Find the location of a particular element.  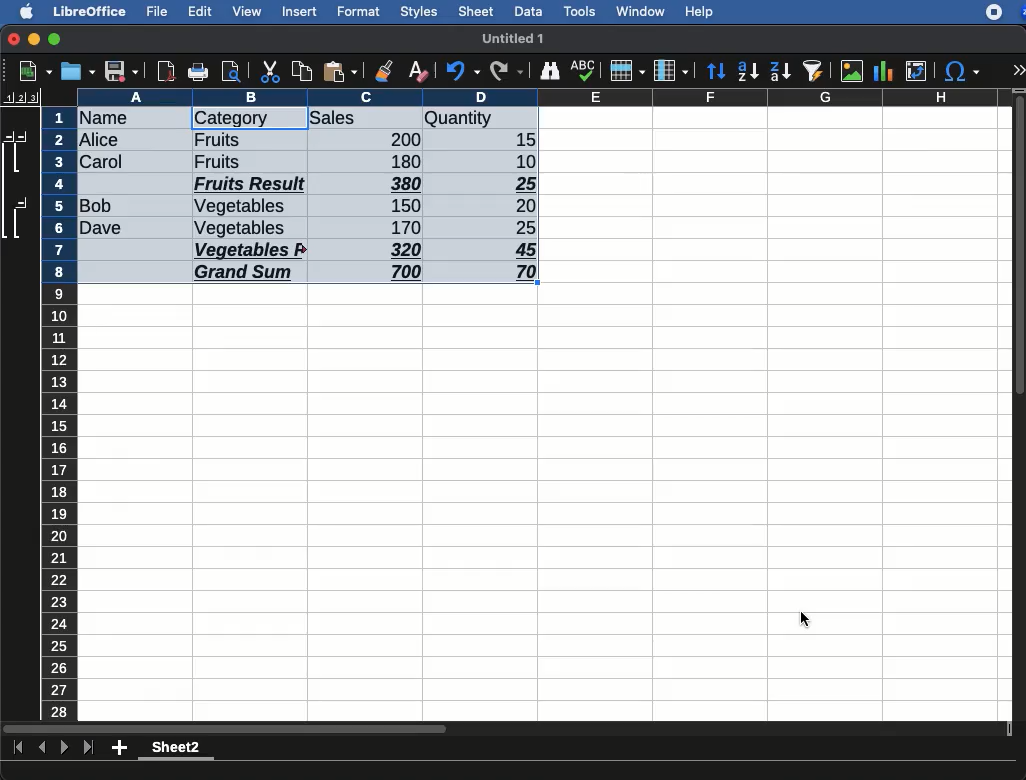

cut is located at coordinates (271, 71).